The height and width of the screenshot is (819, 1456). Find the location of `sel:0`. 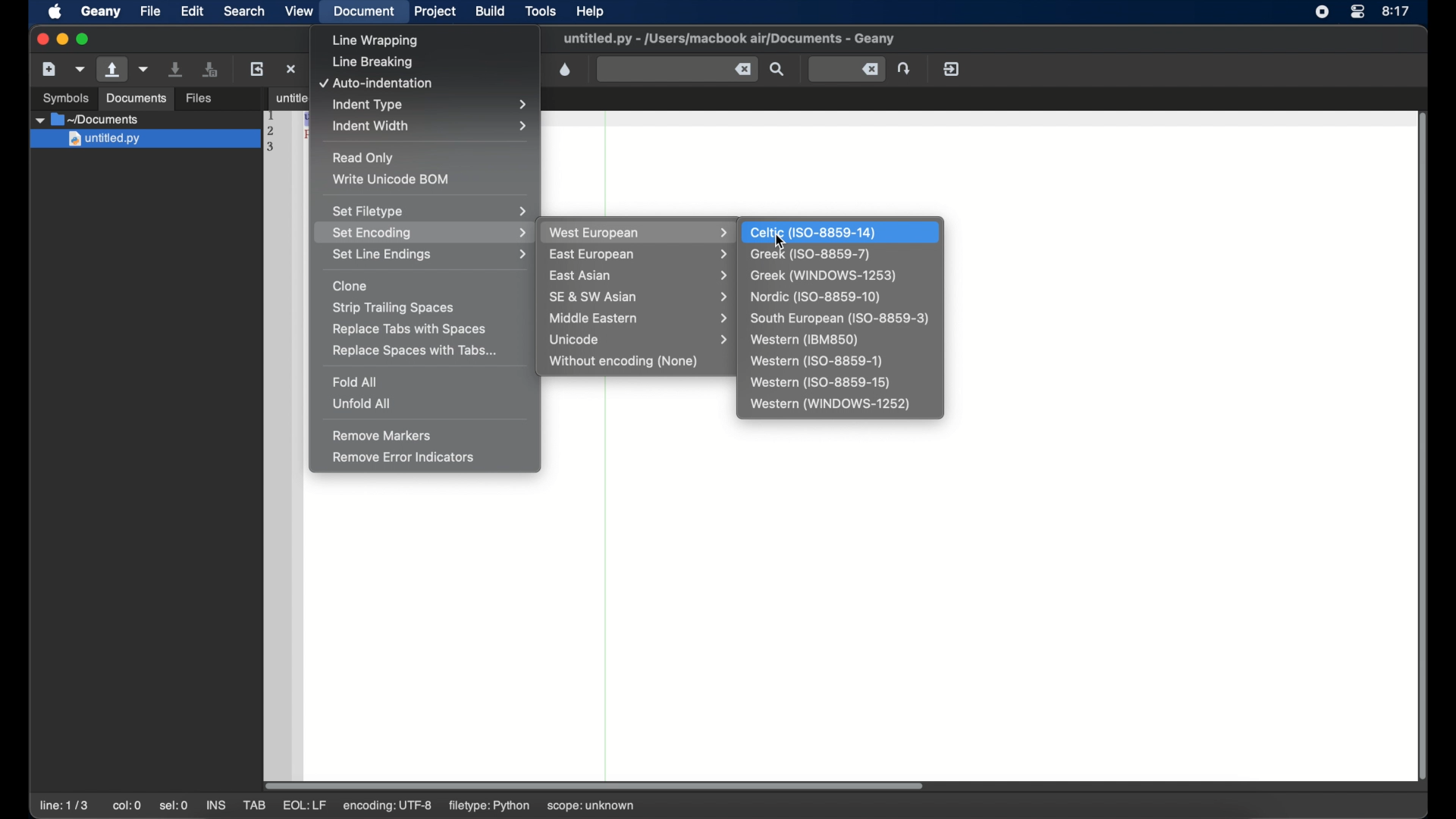

sel:0 is located at coordinates (174, 807).